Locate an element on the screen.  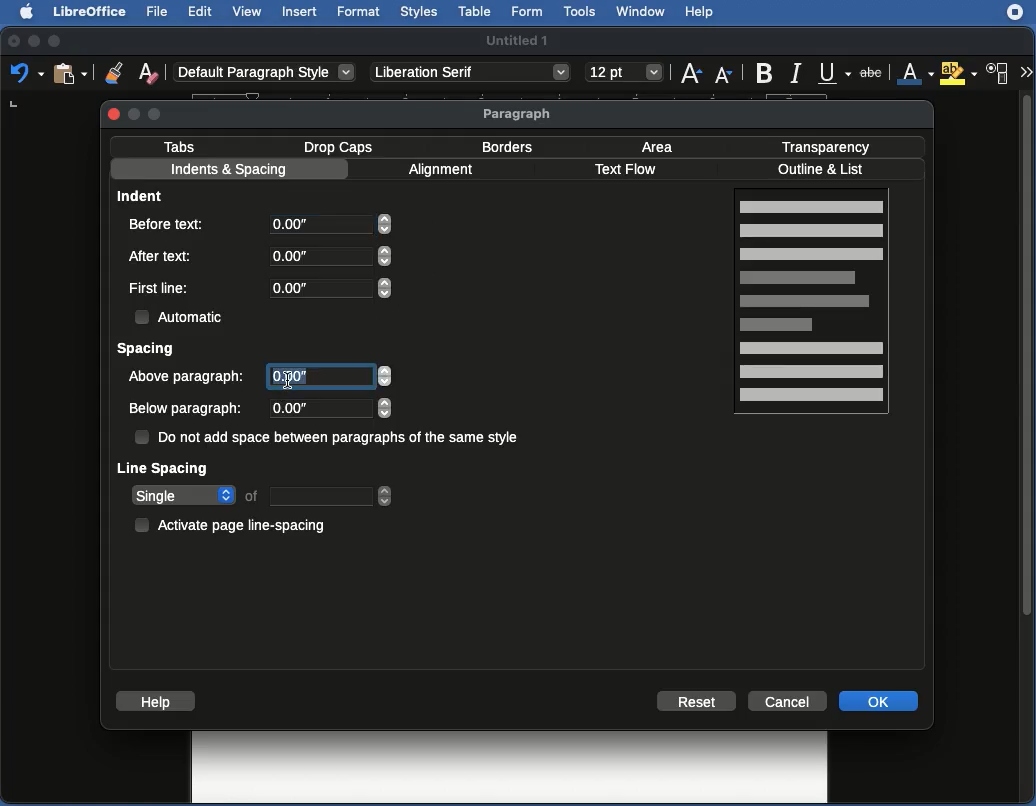
Drop caps is located at coordinates (342, 146).